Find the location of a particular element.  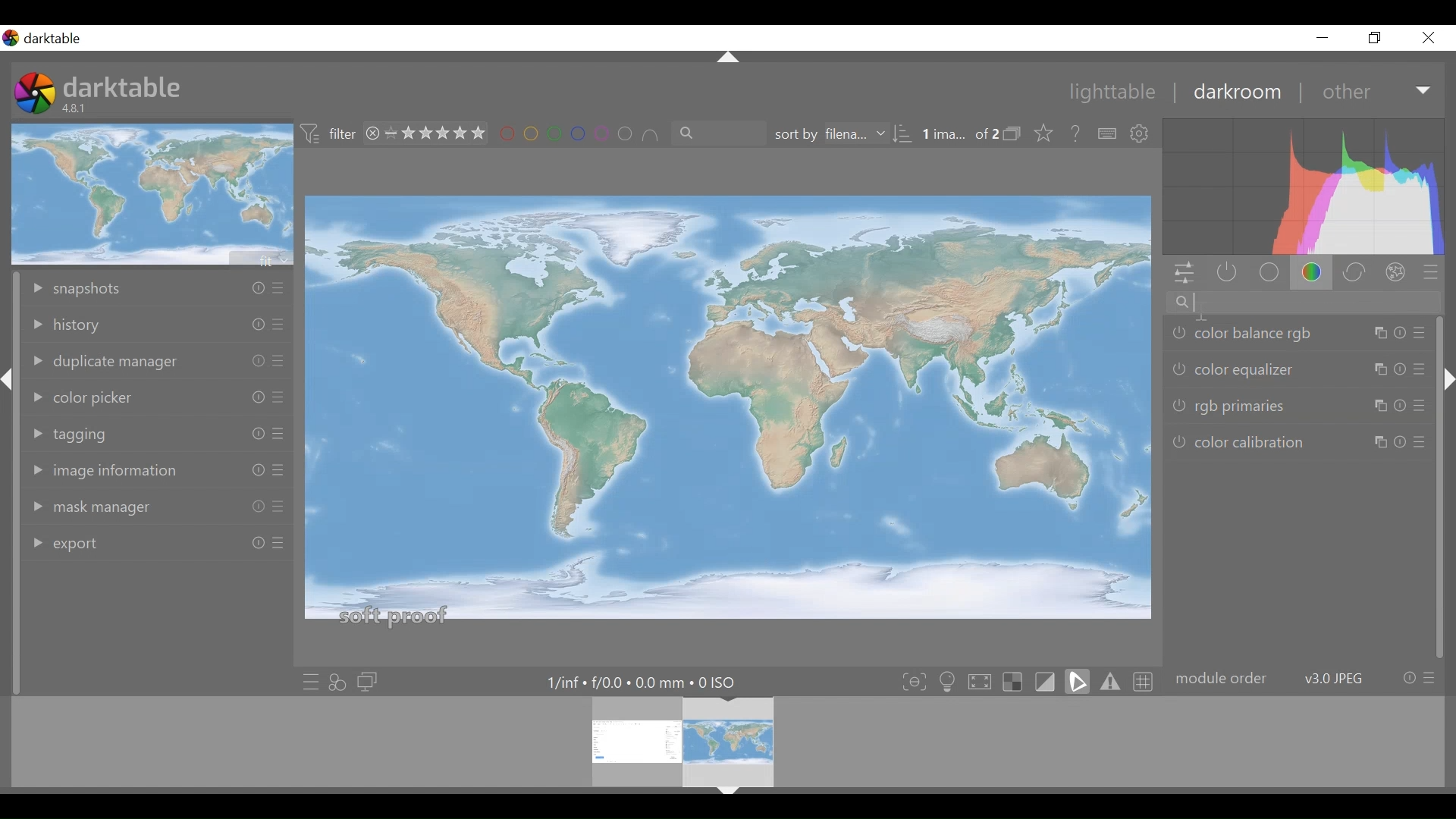

 is located at coordinates (249, 325).